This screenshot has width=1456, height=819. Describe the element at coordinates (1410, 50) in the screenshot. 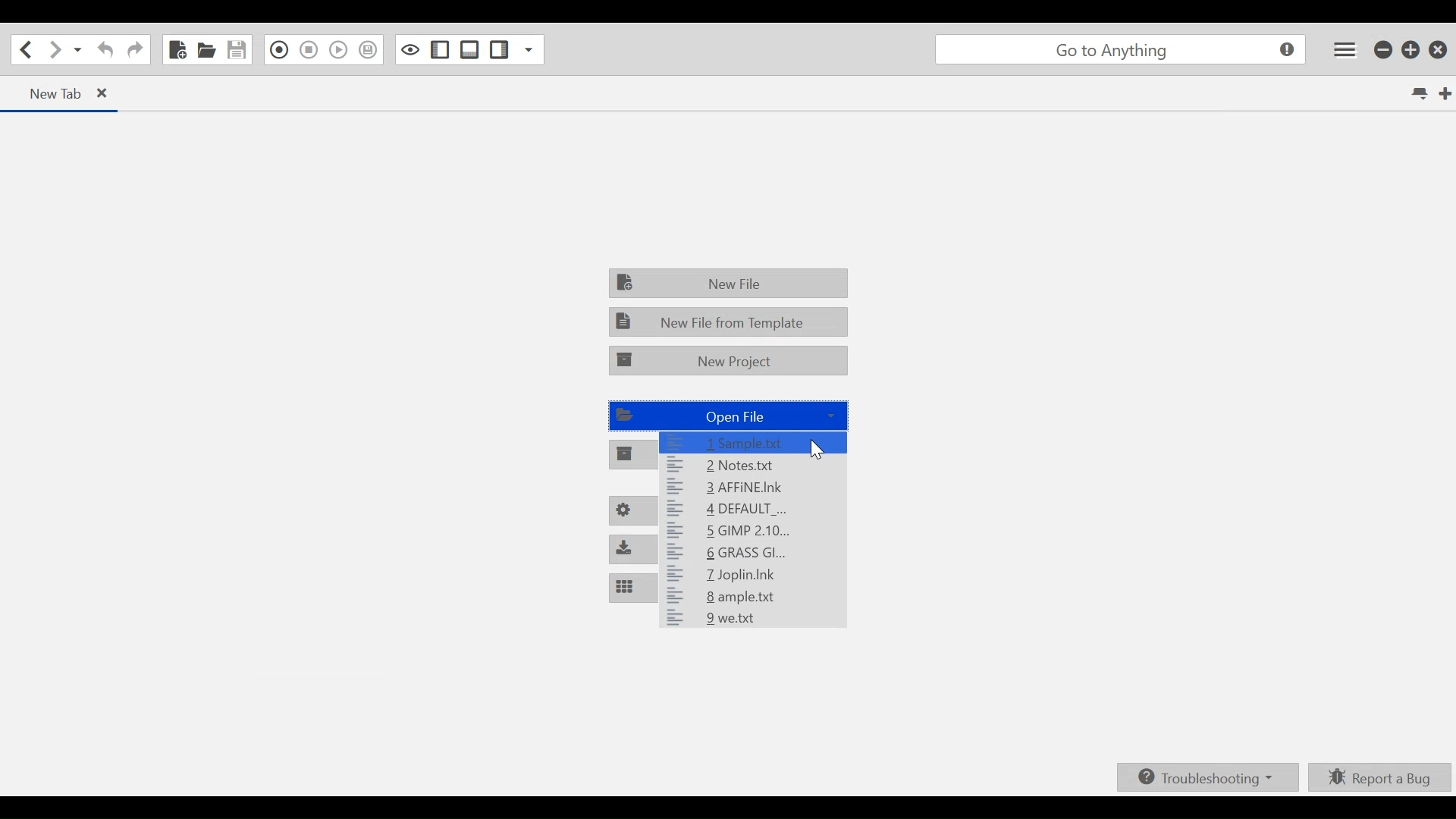

I see `Restore` at that location.